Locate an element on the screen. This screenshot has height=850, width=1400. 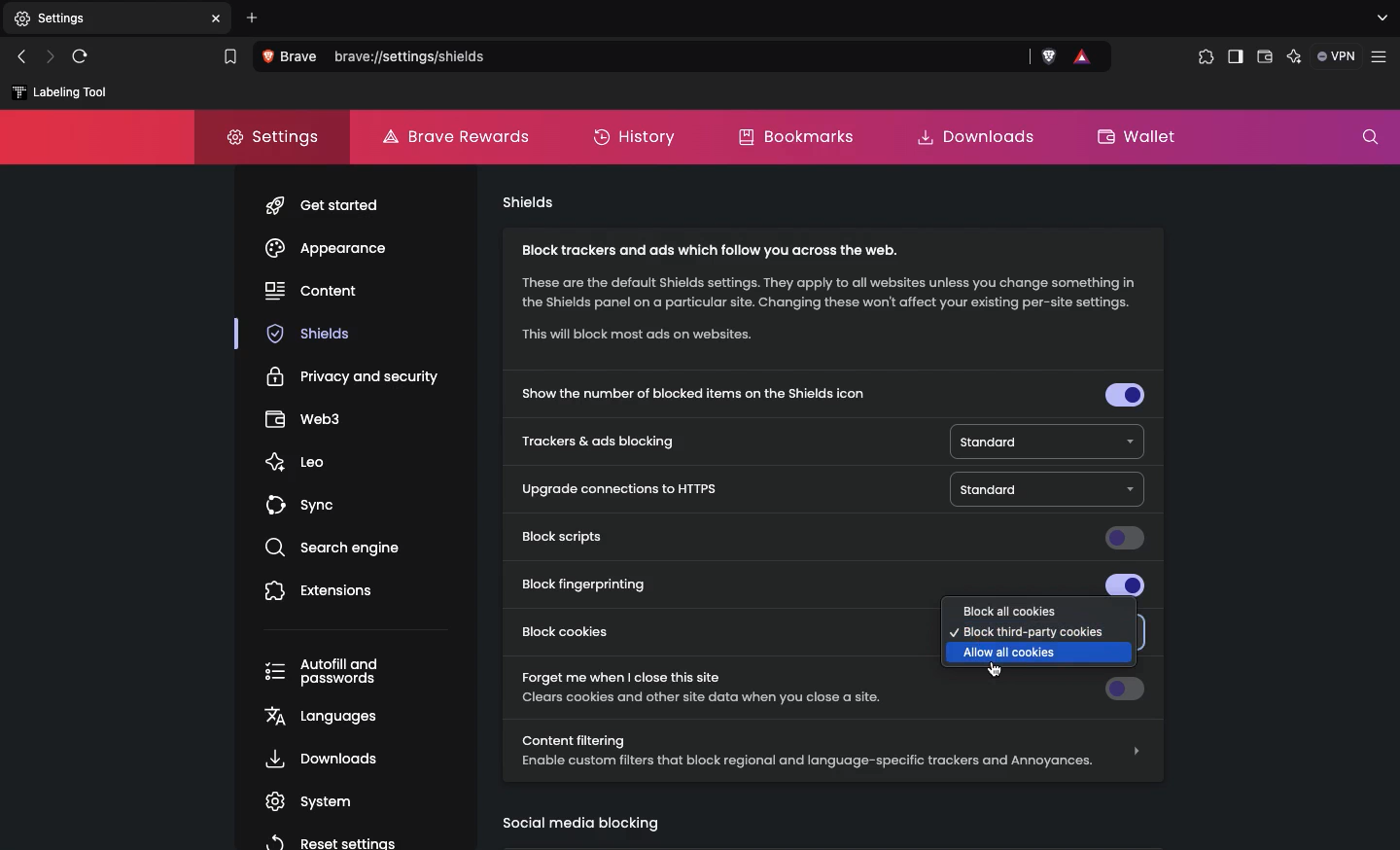
New tab is located at coordinates (46, 20).